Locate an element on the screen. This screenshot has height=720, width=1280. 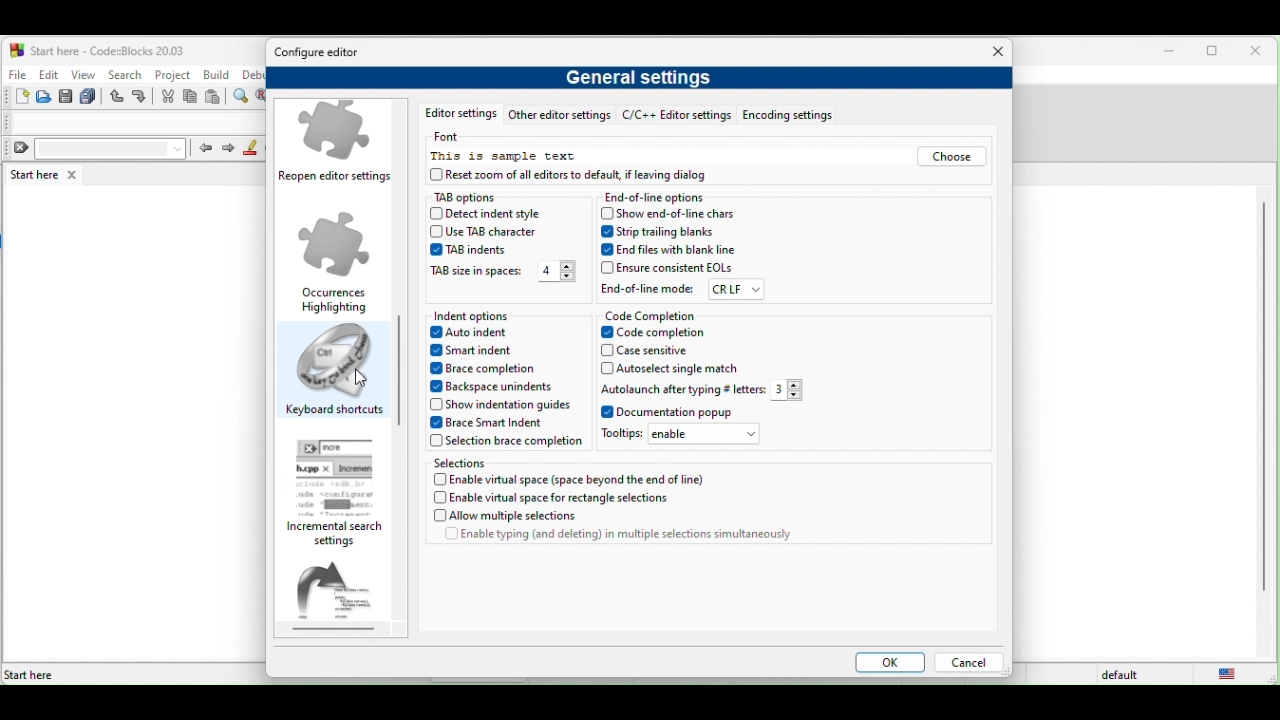
3 is located at coordinates (793, 390).